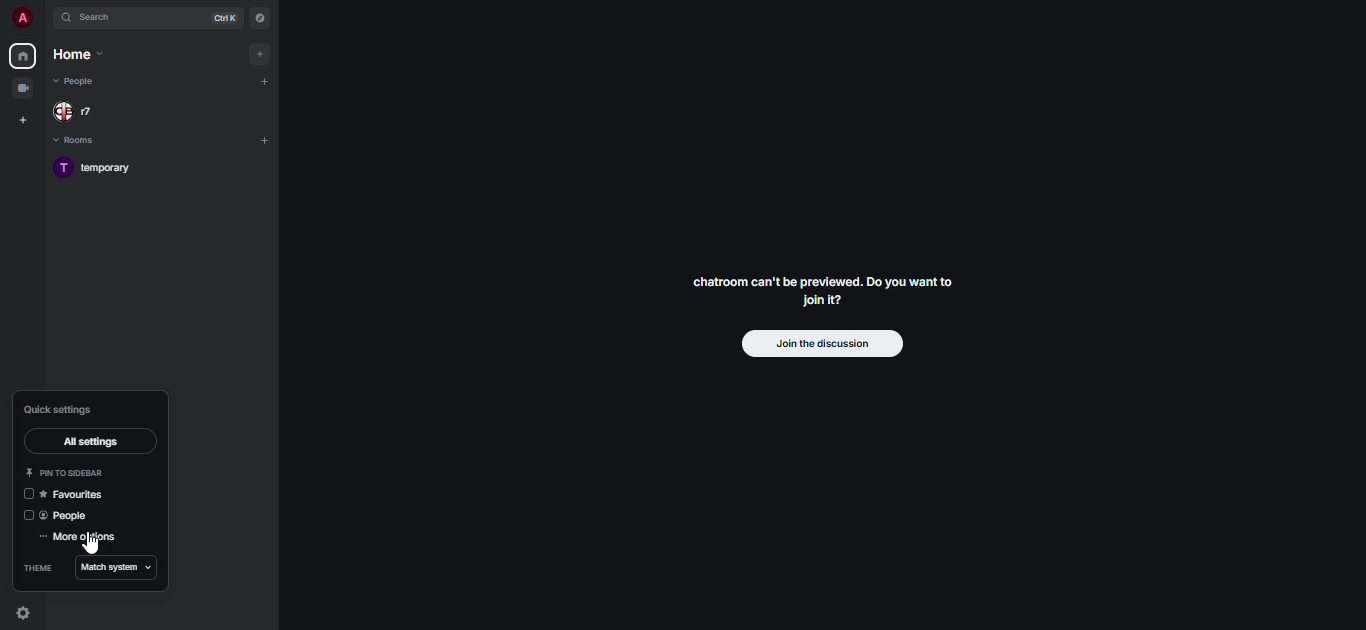 The height and width of the screenshot is (630, 1366). What do you see at coordinates (17, 16) in the screenshot?
I see `profile` at bounding box center [17, 16].